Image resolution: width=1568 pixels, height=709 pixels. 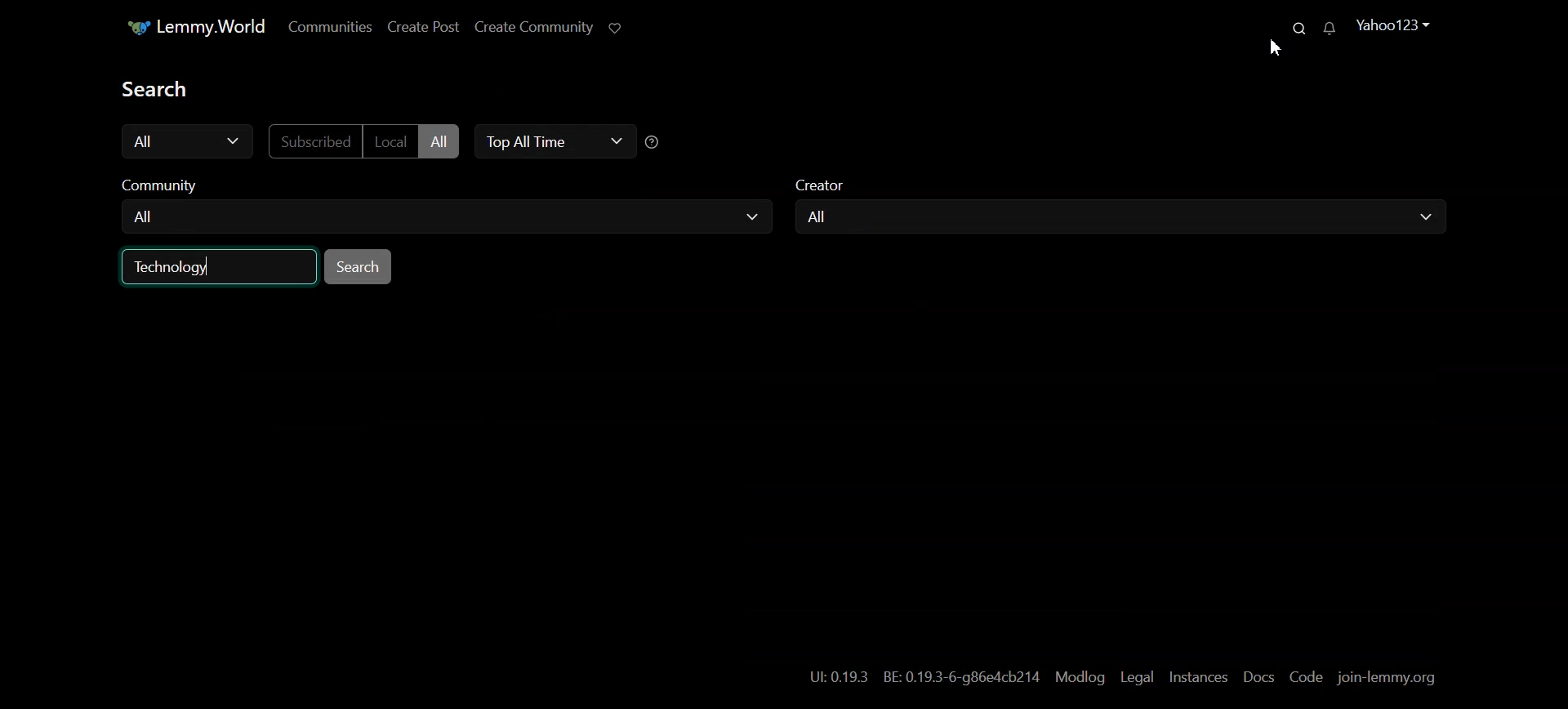 What do you see at coordinates (533, 27) in the screenshot?
I see `Create Community` at bounding box center [533, 27].